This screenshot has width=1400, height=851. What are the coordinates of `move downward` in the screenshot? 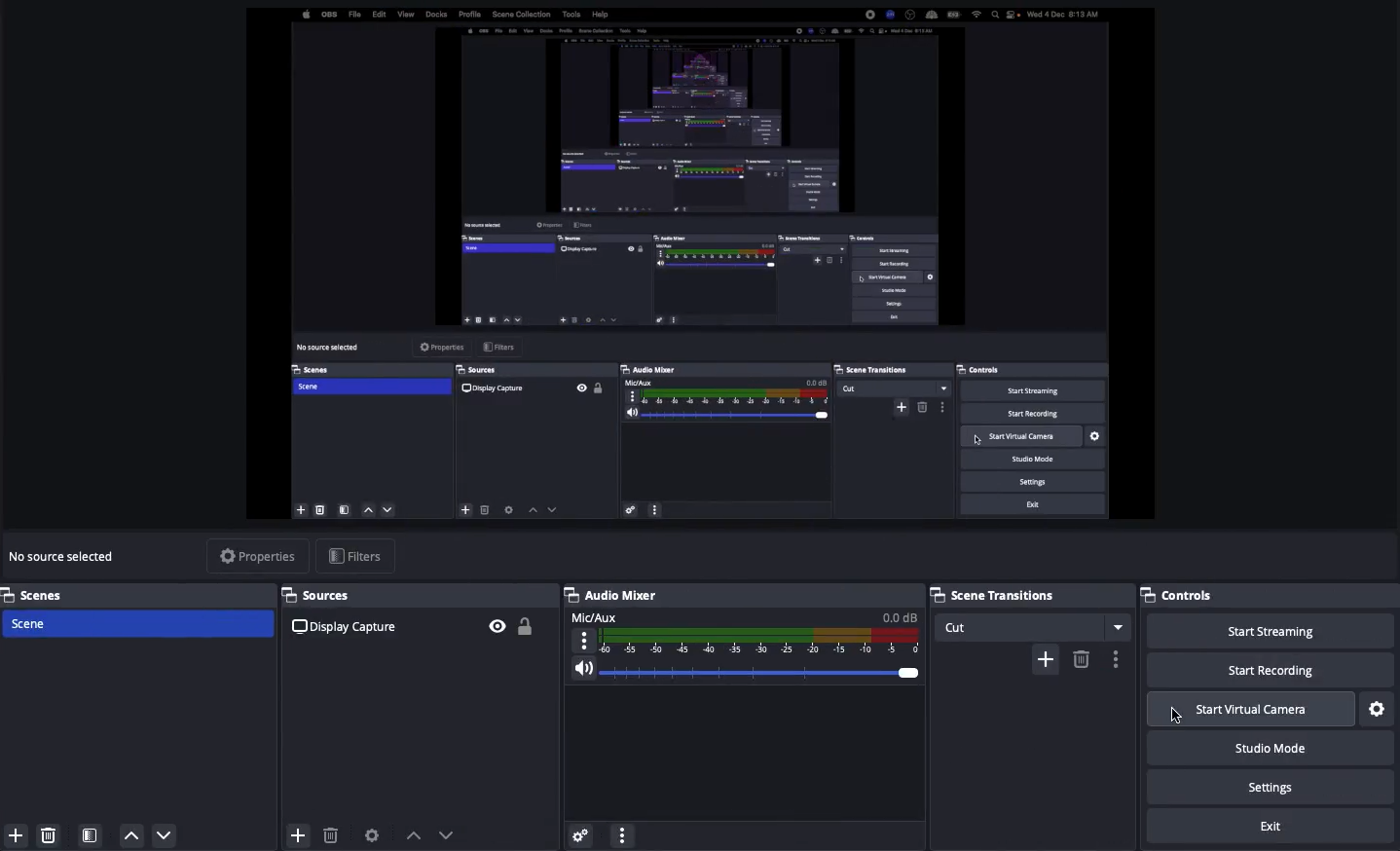 It's located at (453, 833).